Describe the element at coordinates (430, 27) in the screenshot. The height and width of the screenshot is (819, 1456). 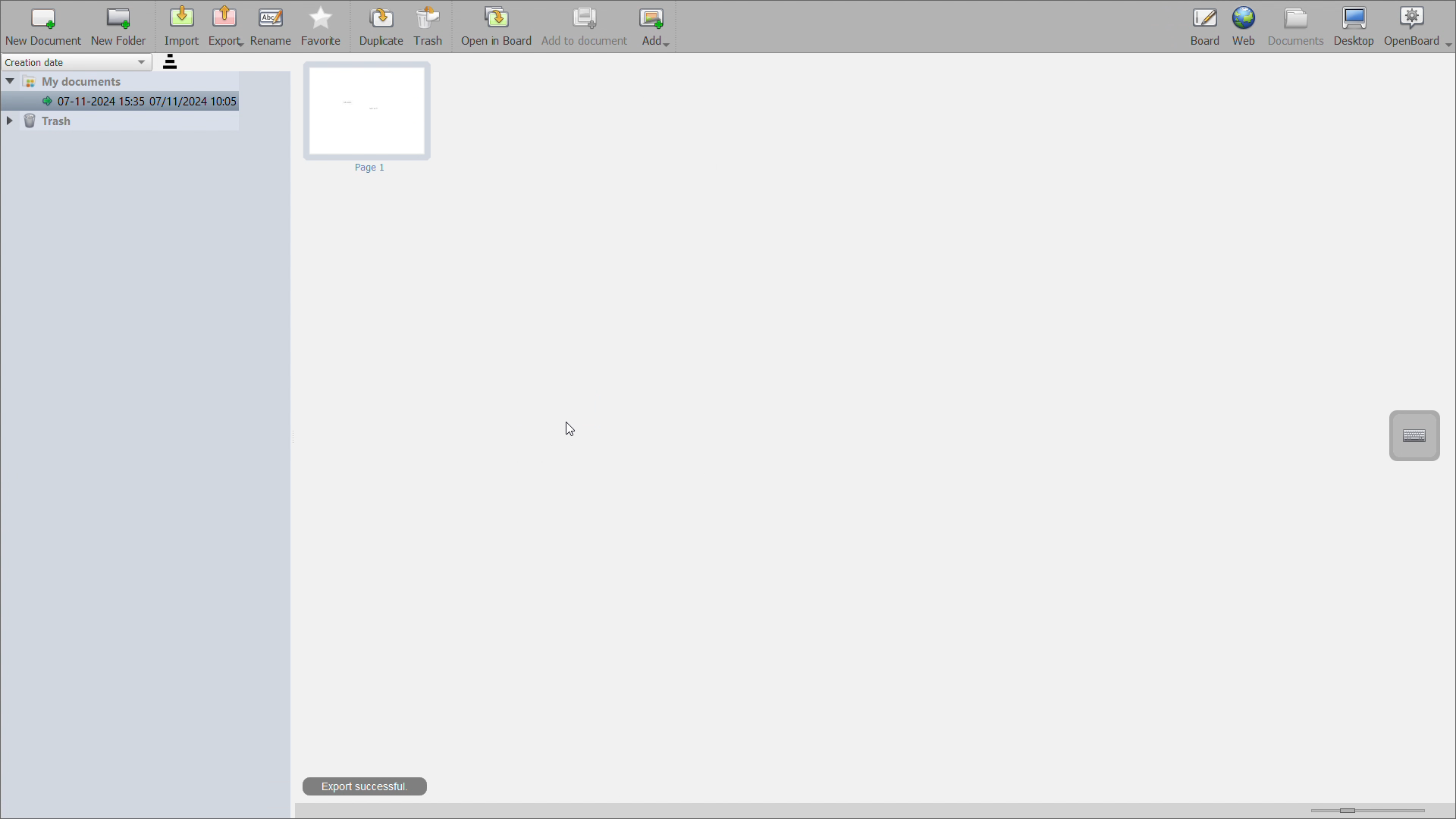
I see `trash` at that location.